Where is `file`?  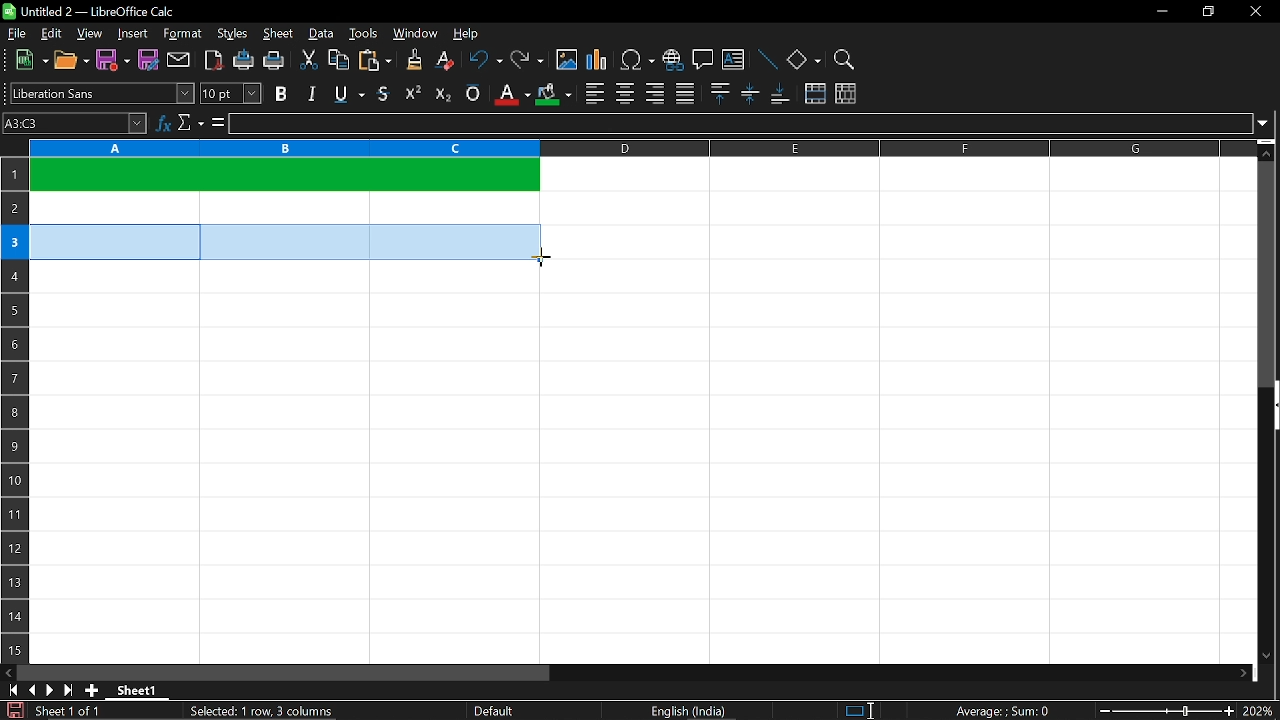 file is located at coordinates (17, 33).